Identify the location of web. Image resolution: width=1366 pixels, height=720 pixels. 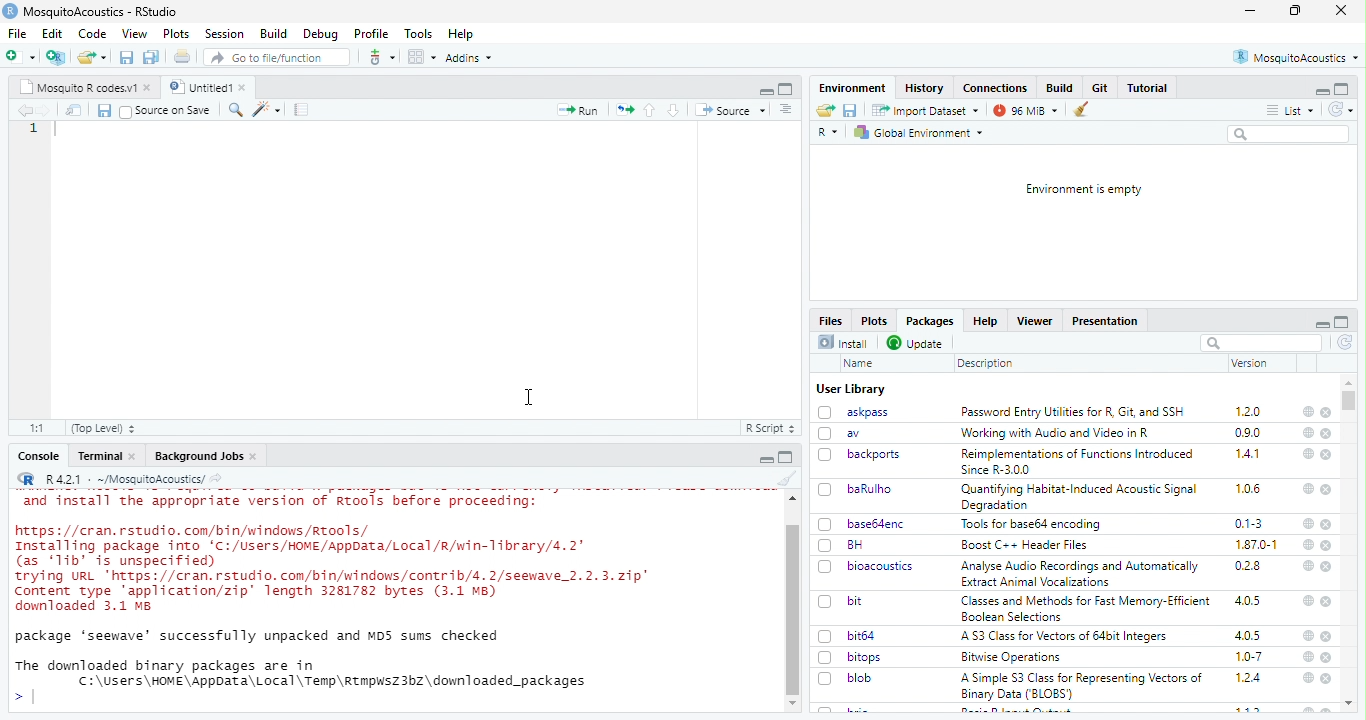
(1309, 412).